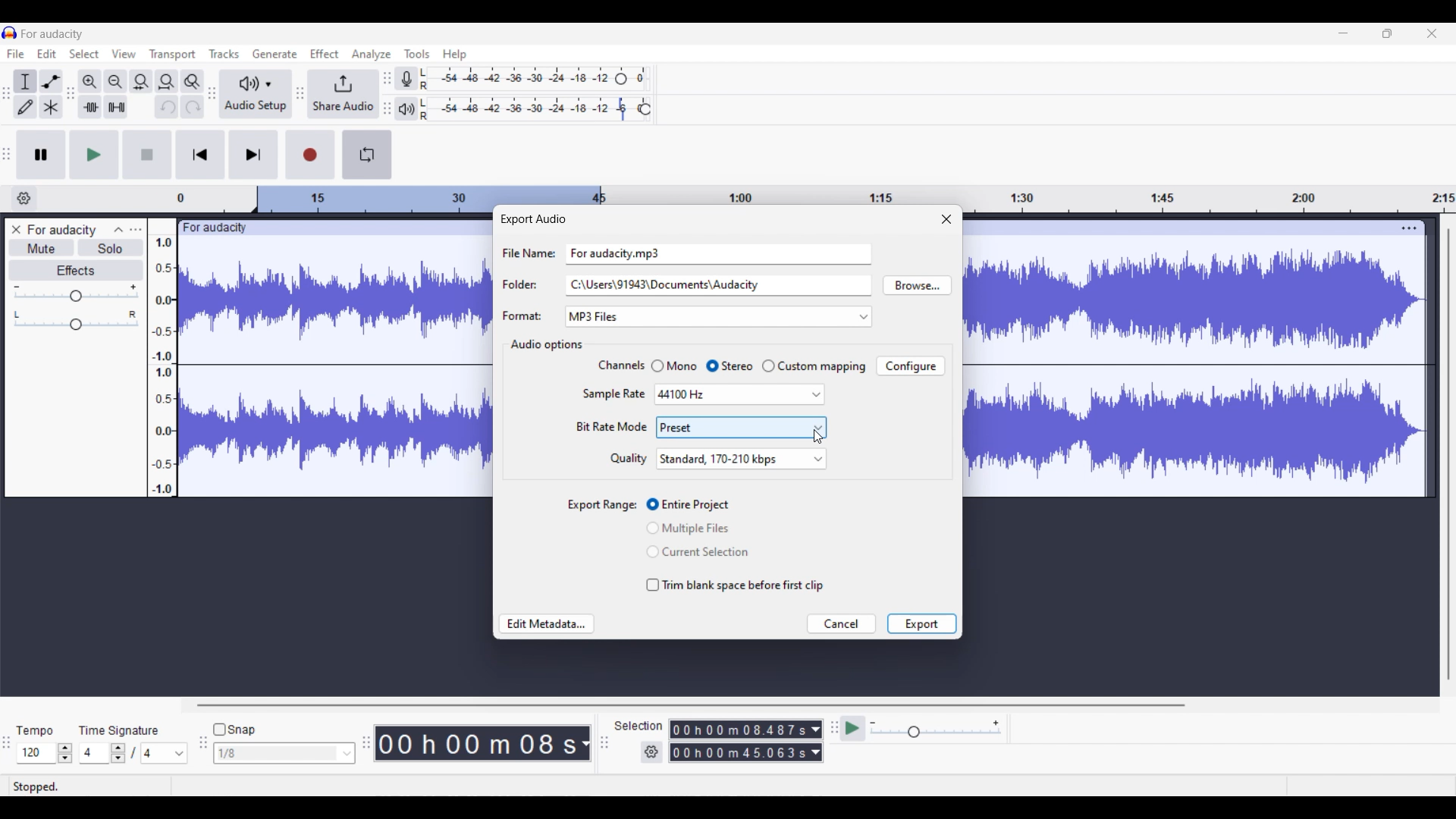 This screenshot has height=819, width=1456. I want to click on Export, so click(921, 623).